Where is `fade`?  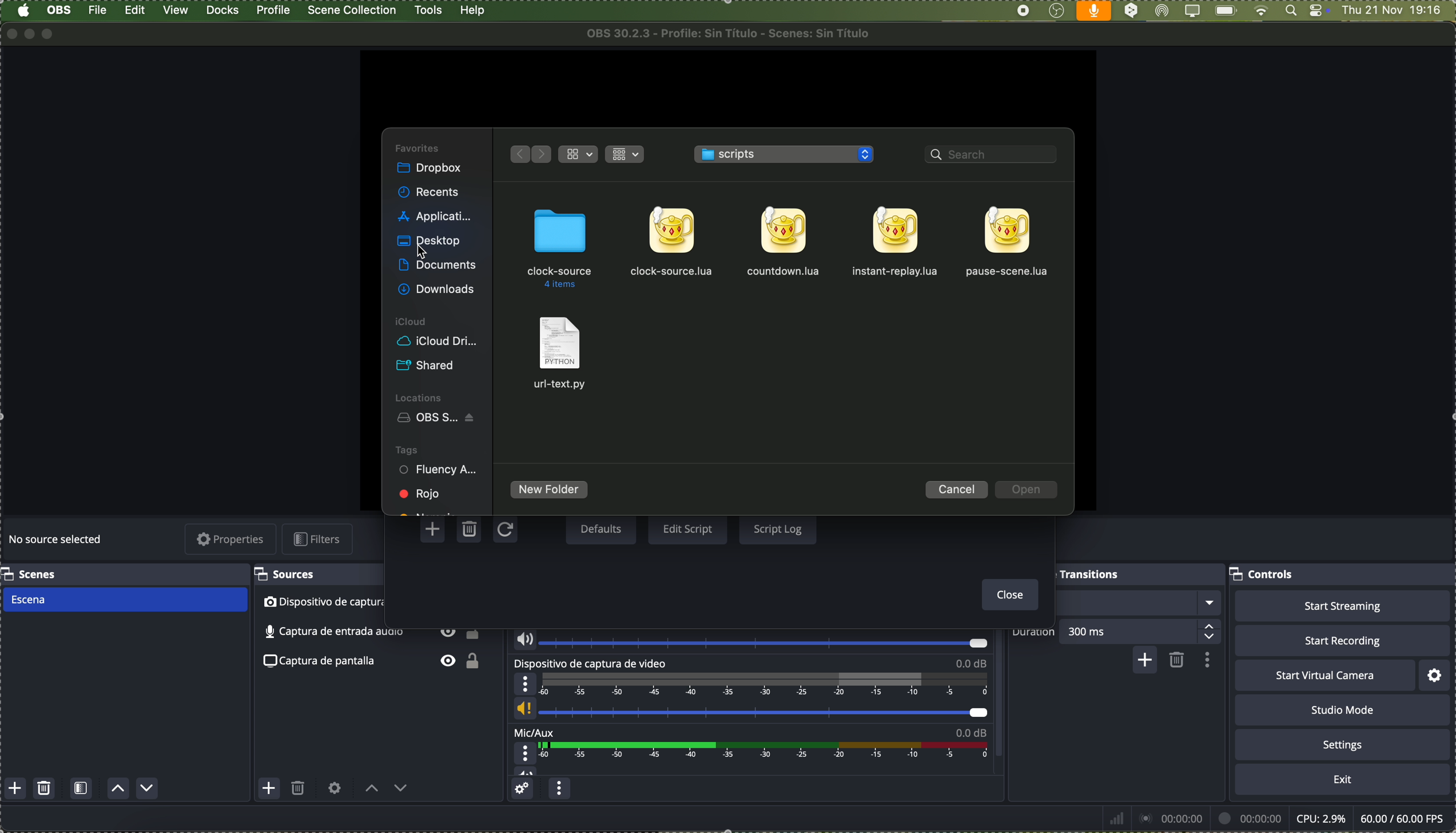
fade is located at coordinates (1117, 603).